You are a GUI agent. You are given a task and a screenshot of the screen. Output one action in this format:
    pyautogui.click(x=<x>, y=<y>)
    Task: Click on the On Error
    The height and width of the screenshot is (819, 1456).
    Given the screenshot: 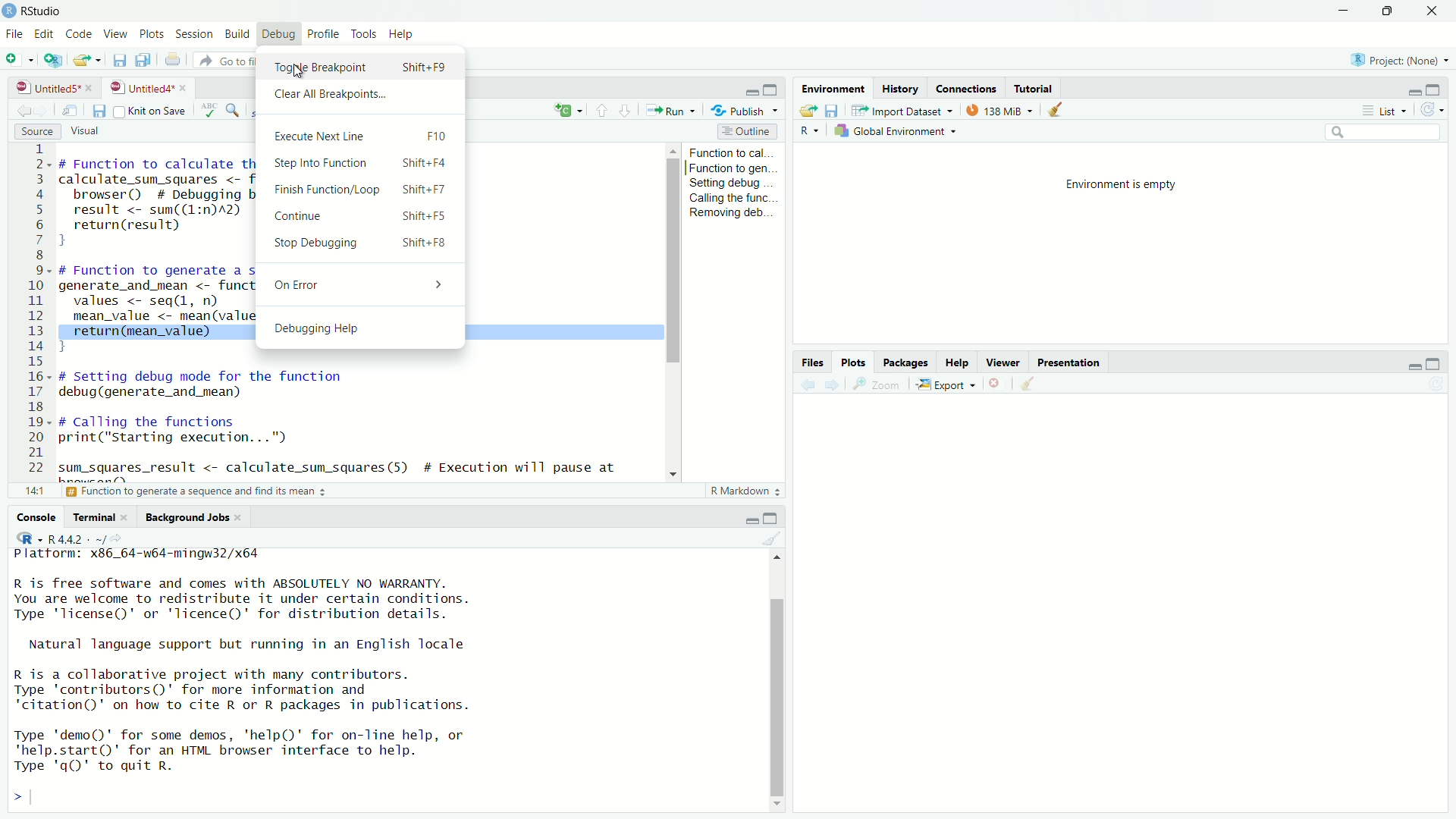 What is the action you would take?
    pyautogui.click(x=363, y=283)
    